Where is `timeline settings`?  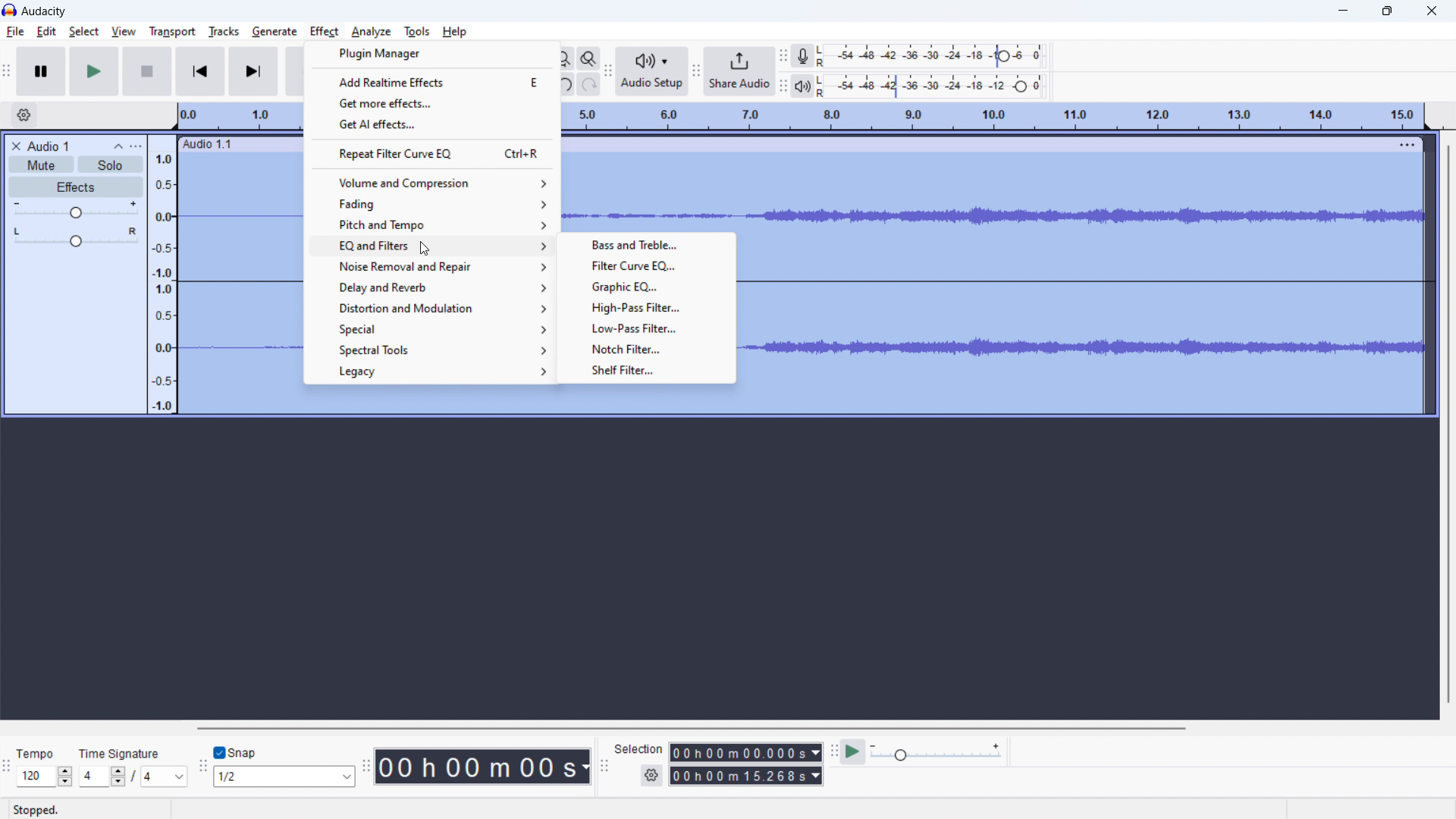
timeline settings is located at coordinates (24, 115).